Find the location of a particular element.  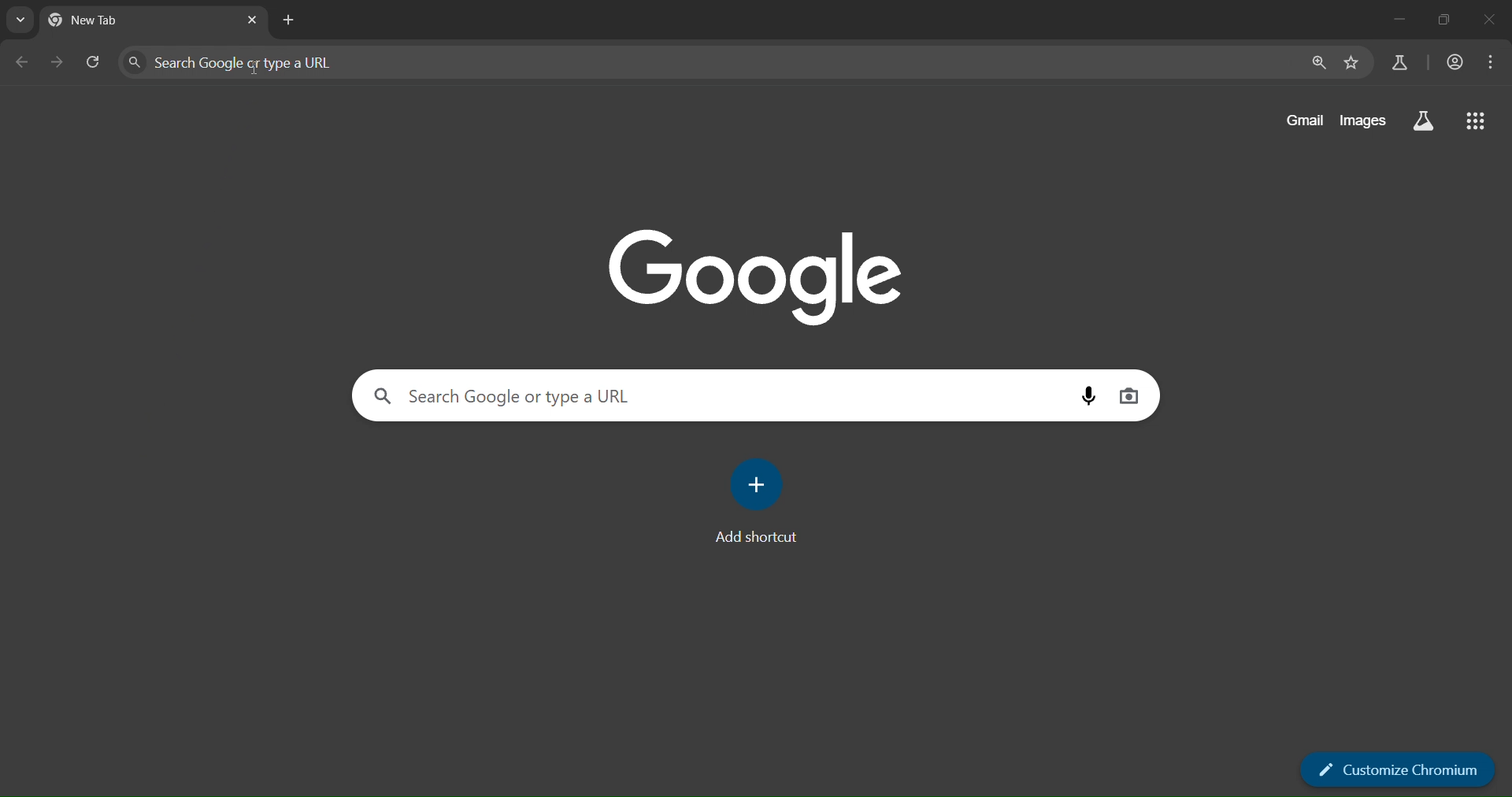

minimize is located at coordinates (1399, 18).